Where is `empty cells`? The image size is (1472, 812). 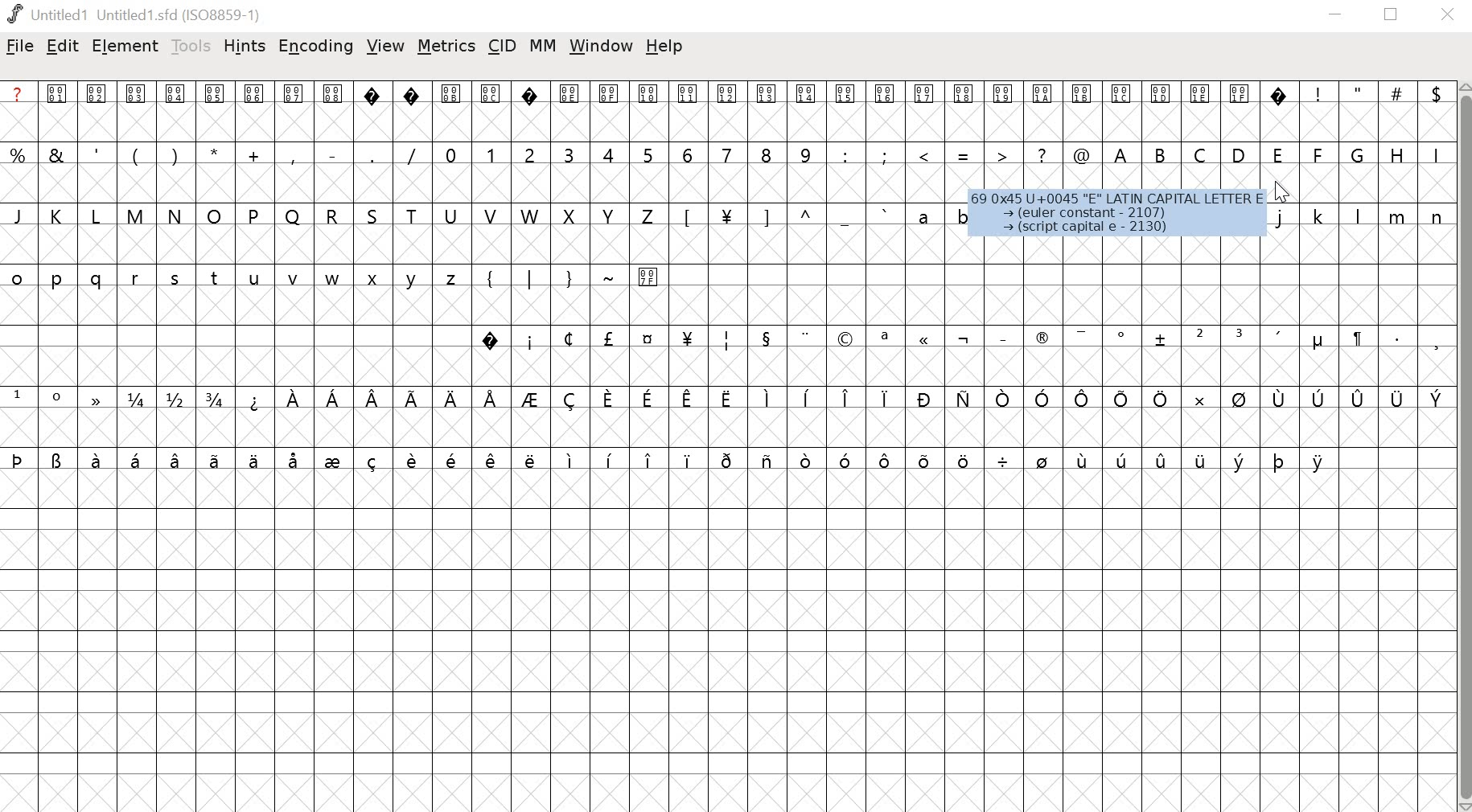
empty cells is located at coordinates (1396, 630).